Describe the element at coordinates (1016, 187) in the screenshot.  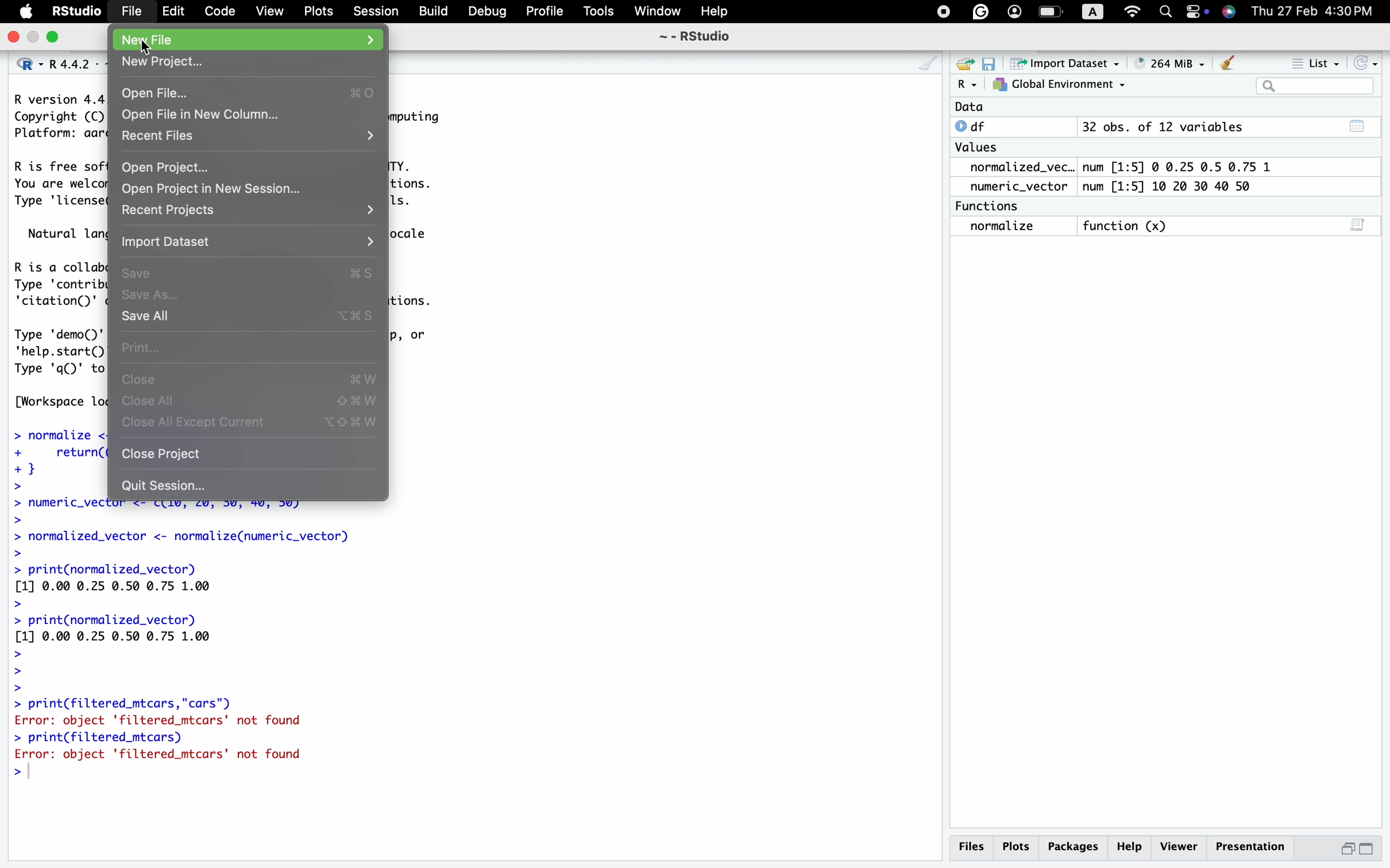
I see `numeric_vector` at that location.